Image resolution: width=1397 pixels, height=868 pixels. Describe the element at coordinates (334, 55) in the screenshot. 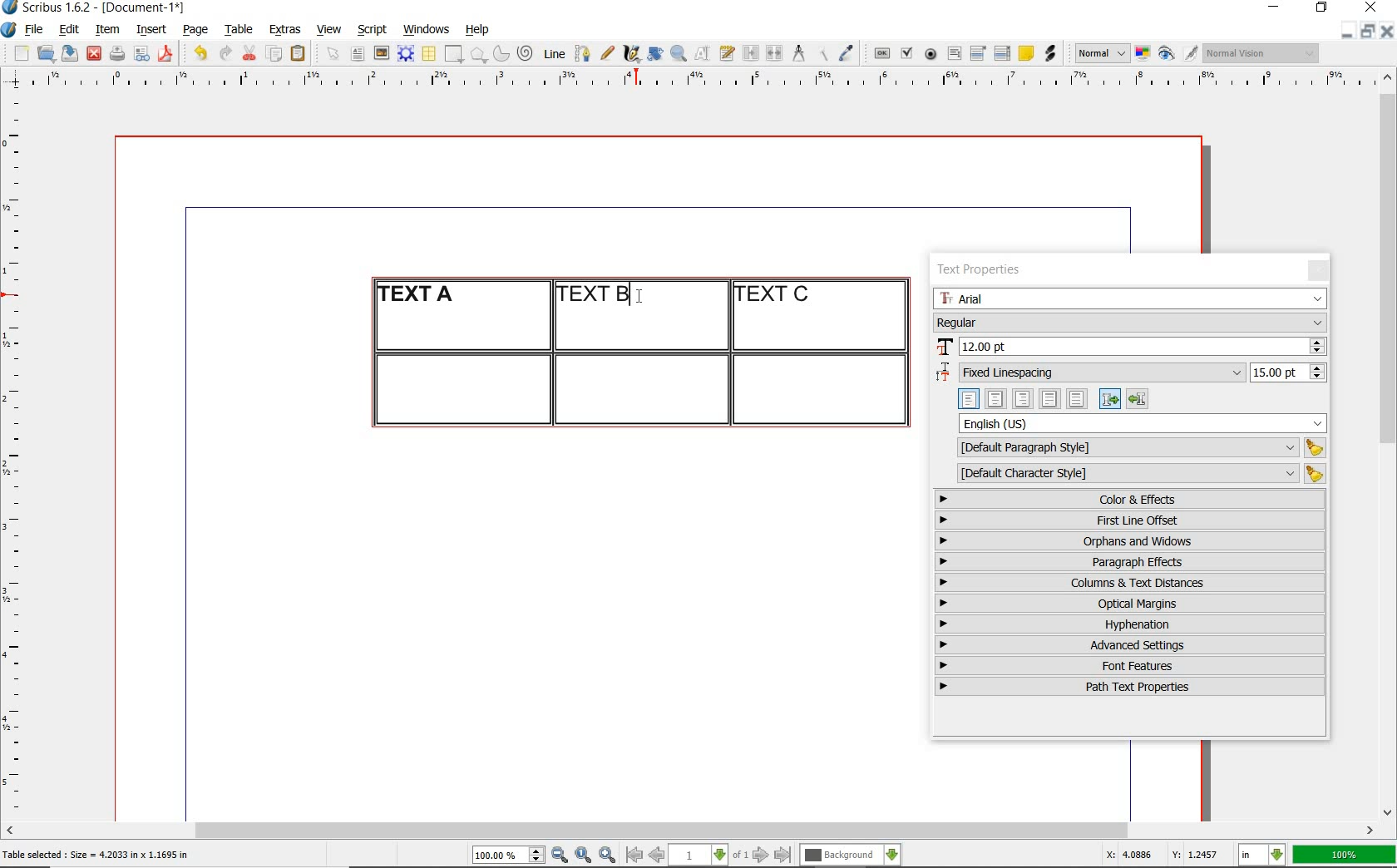

I see `select` at that location.